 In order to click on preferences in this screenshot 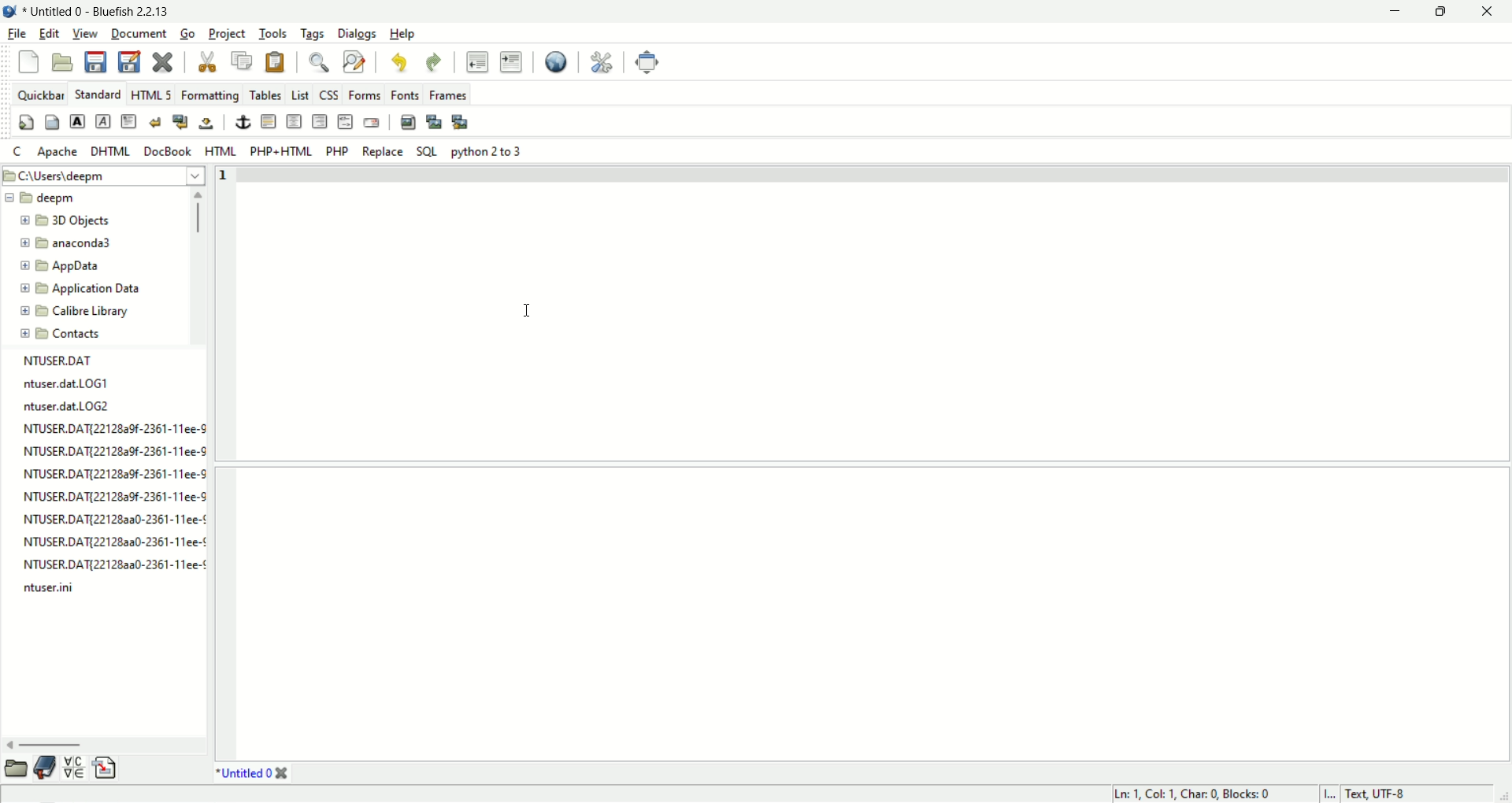, I will do `click(603, 63)`.